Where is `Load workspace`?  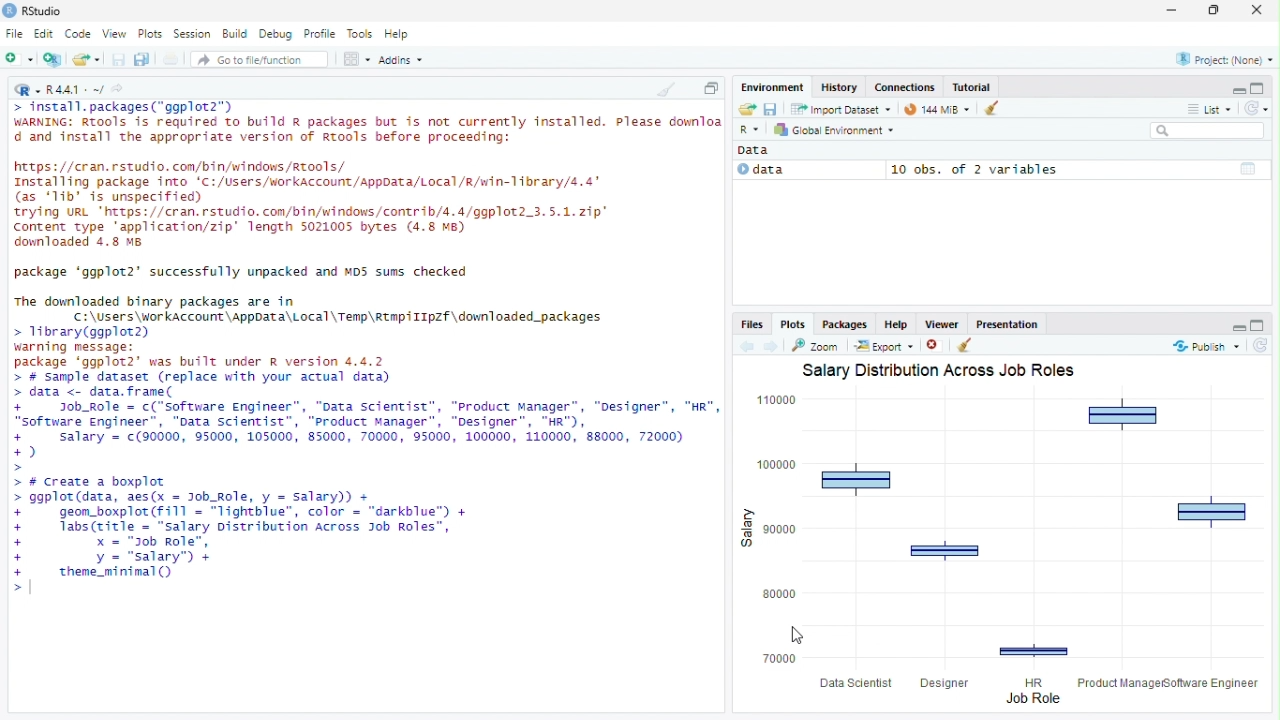
Load workspace is located at coordinates (745, 108).